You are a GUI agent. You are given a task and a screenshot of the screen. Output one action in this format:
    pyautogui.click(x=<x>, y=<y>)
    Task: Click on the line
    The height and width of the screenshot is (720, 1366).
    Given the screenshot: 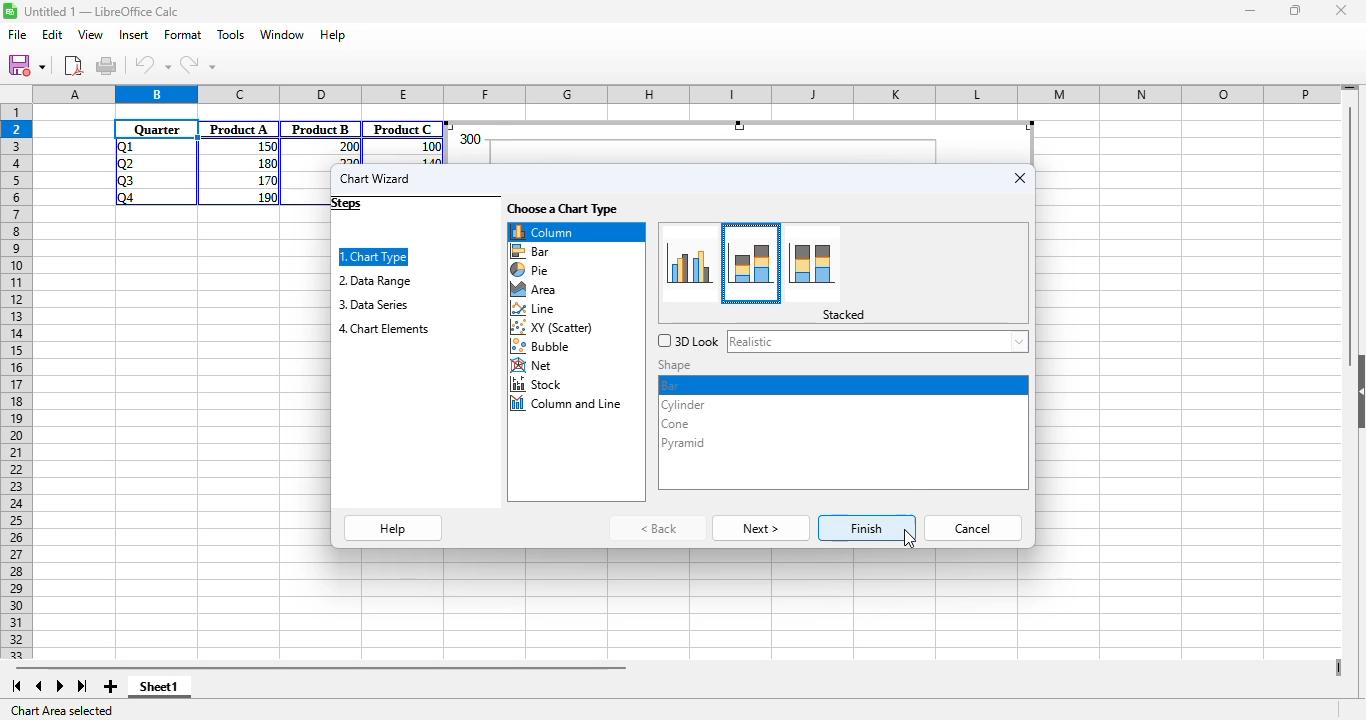 What is the action you would take?
    pyautogui.click(x=534, y=309)
    